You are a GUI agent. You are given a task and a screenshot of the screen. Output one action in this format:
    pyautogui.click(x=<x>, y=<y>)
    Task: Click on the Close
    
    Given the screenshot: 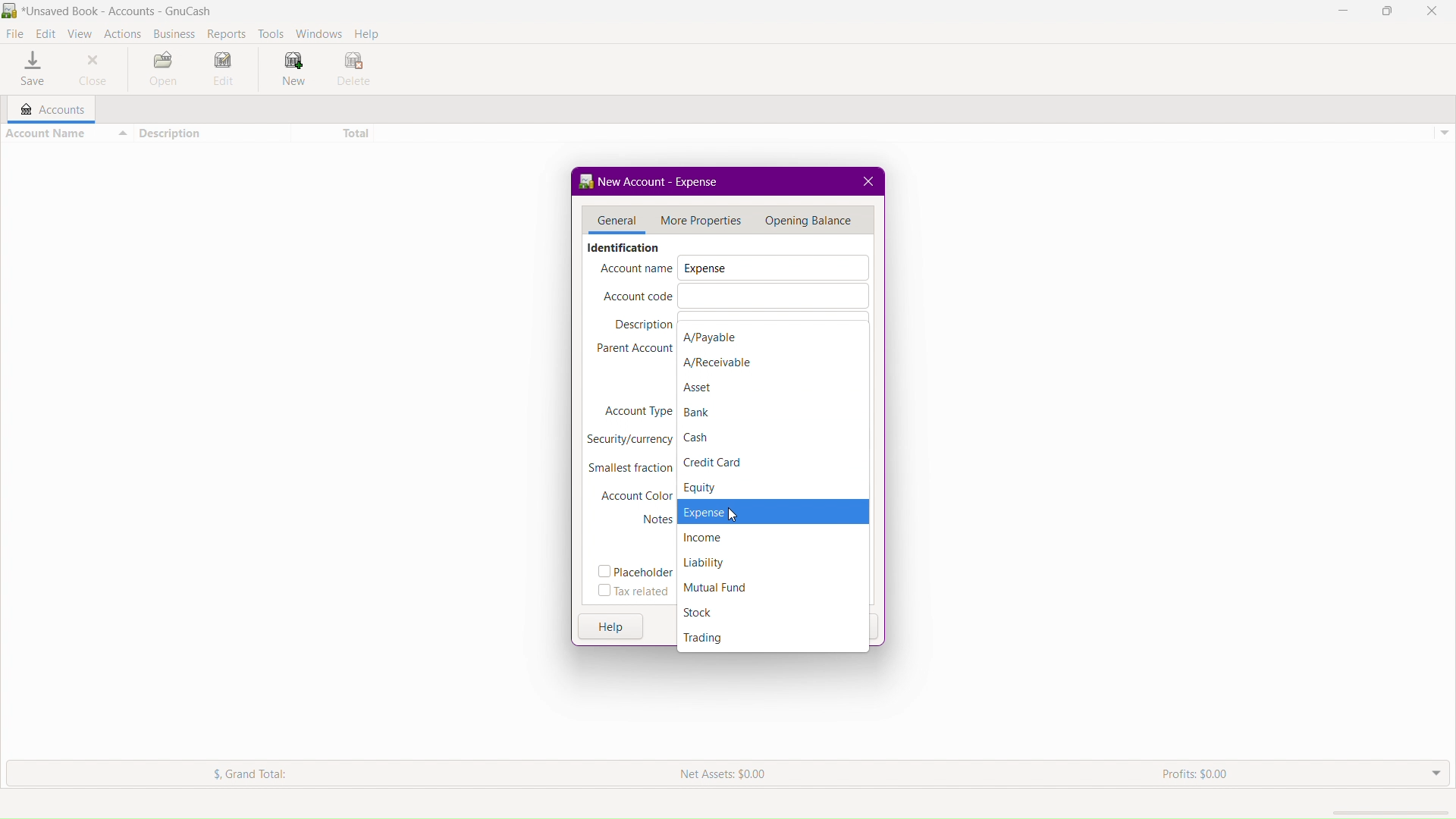 What is the action you would take?
    pyautogui.click(x=99, y=71)
    